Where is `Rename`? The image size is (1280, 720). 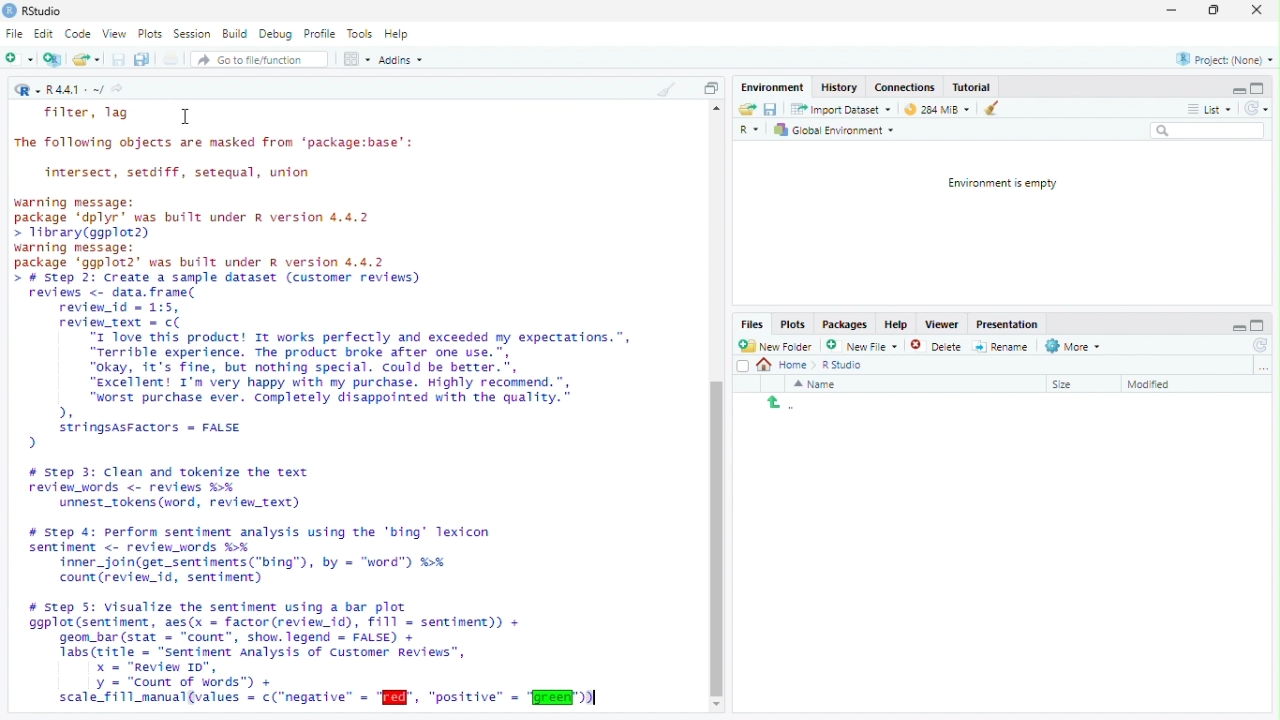 Rename is located at coordinates (1001, 347).